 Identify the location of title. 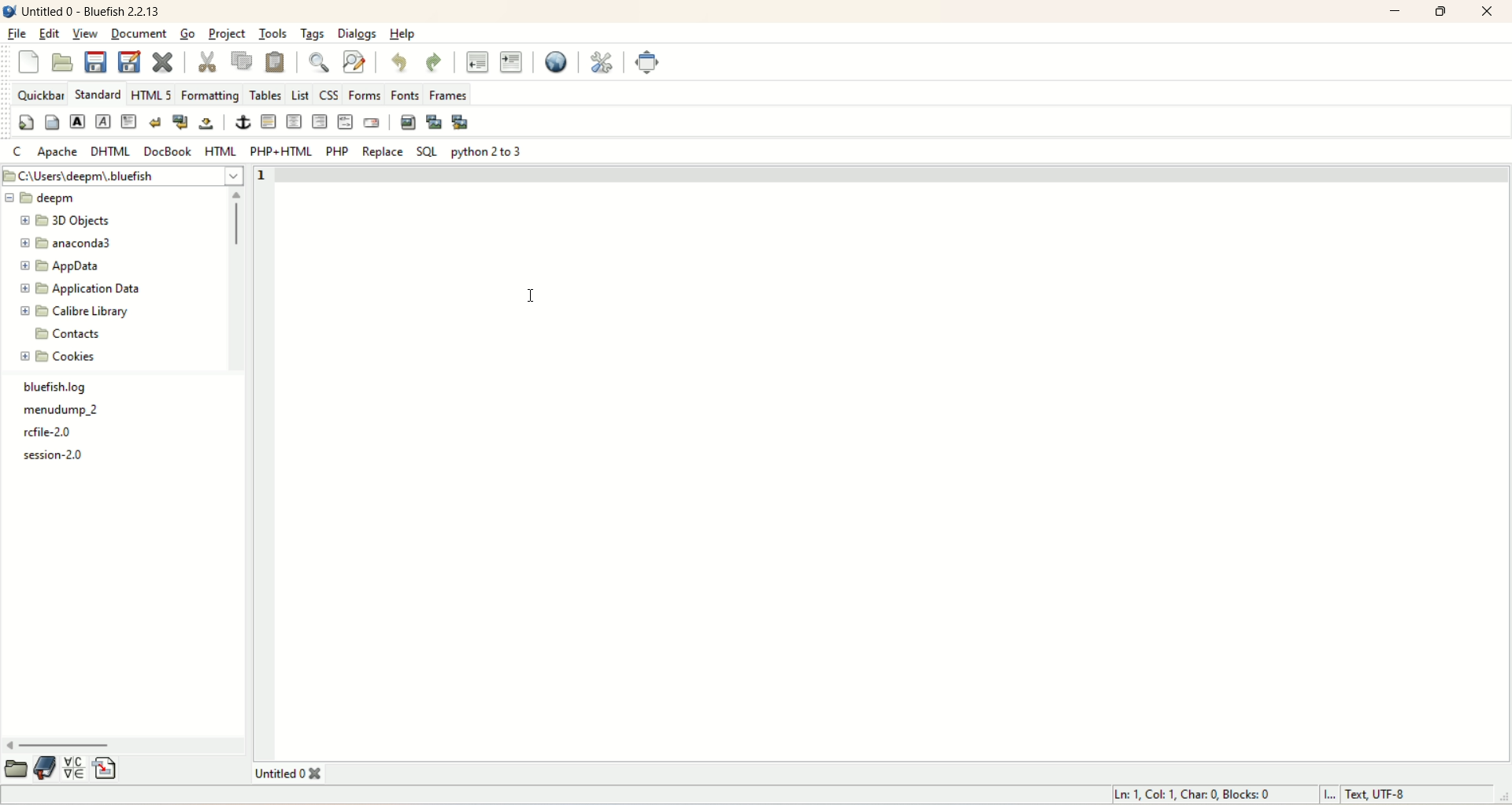
(298, 773).